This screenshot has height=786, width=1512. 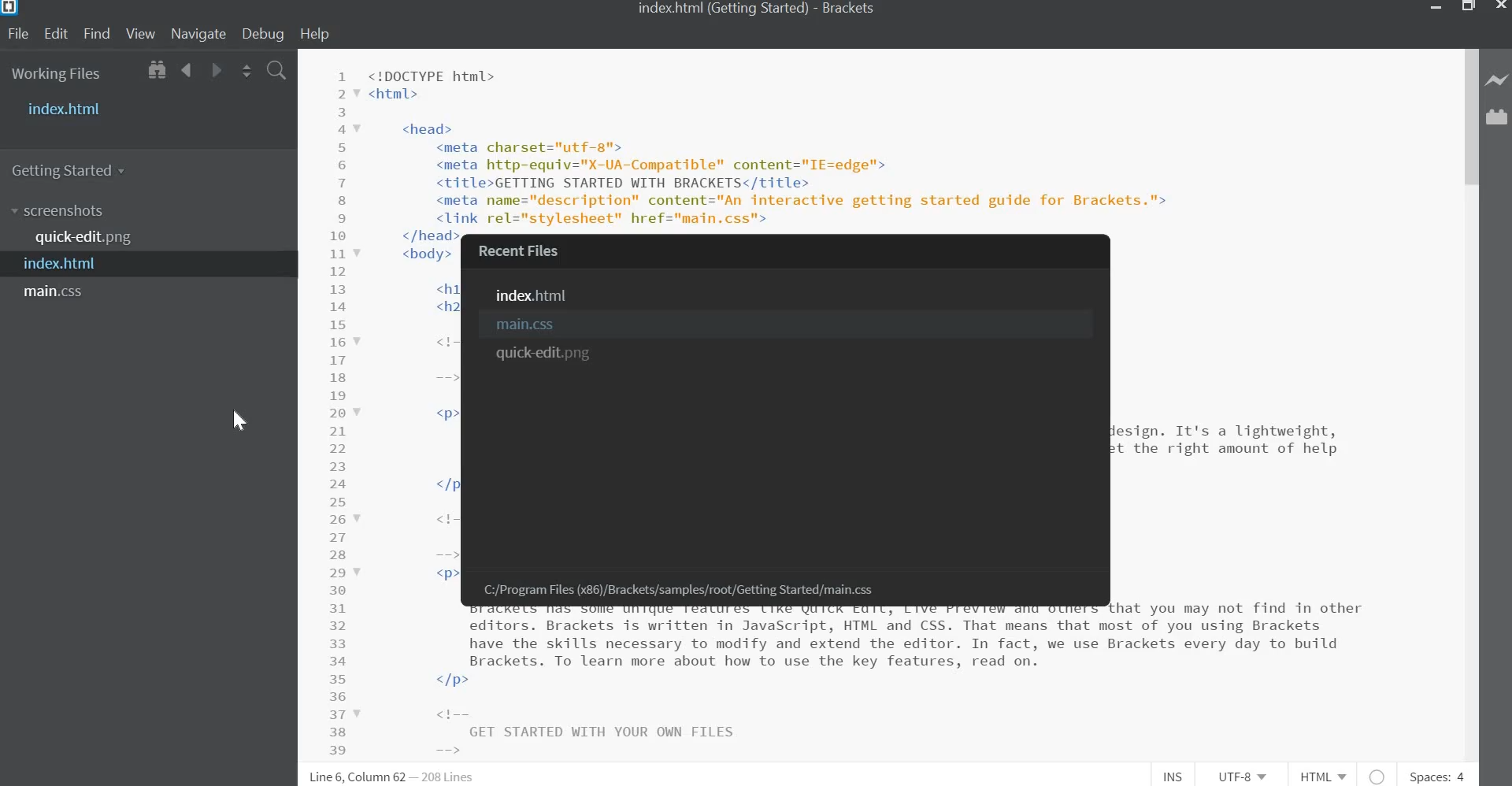 What do you see at coordinates (1245, 777) in the screenshot?
I see `File Encoding` at bounding box center [1245, 777].